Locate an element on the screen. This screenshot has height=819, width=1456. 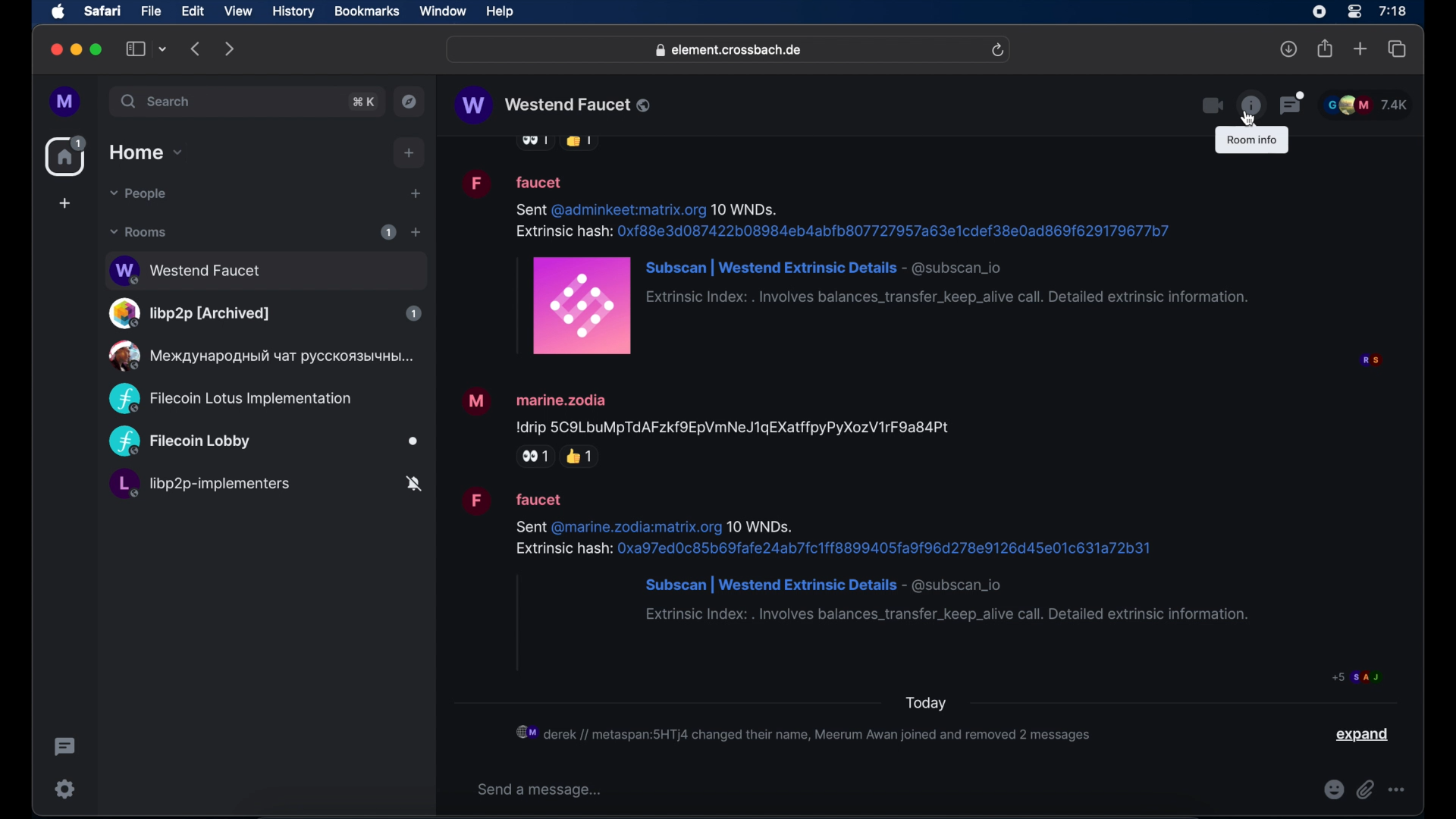
message is located at coordinates (853, 262).